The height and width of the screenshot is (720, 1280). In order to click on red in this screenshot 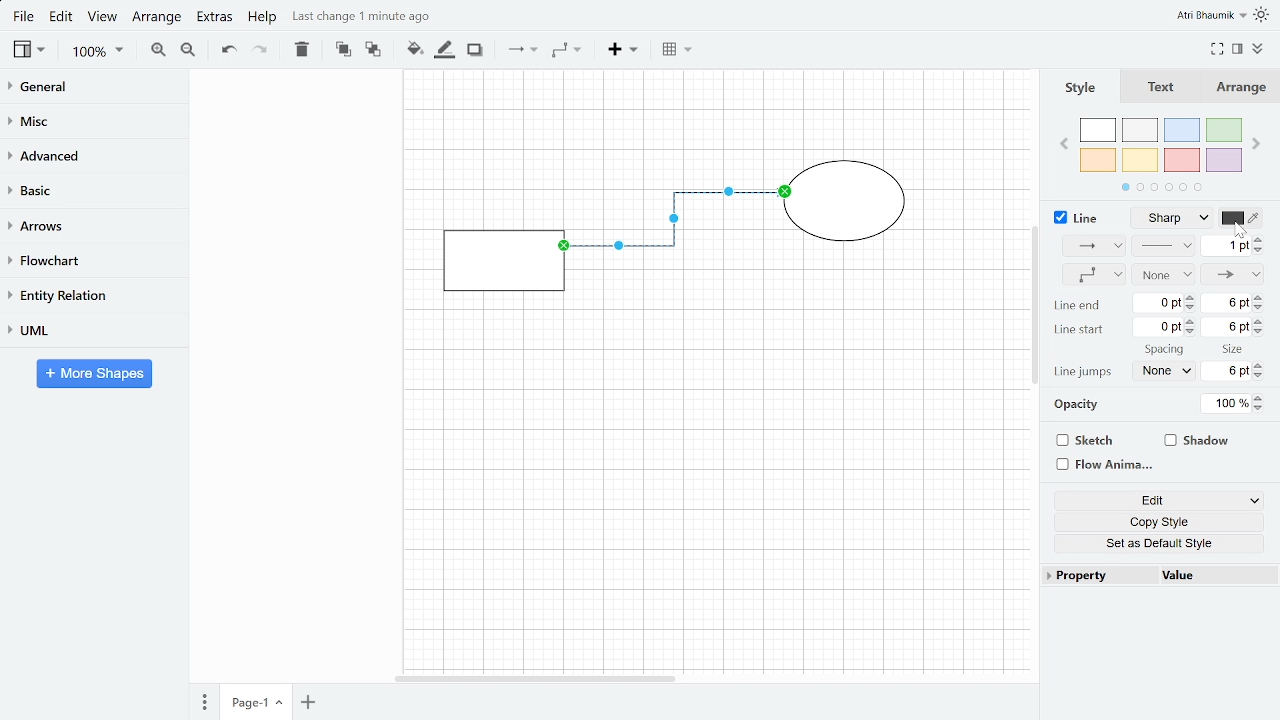, I will do `click(1182, 160)`.